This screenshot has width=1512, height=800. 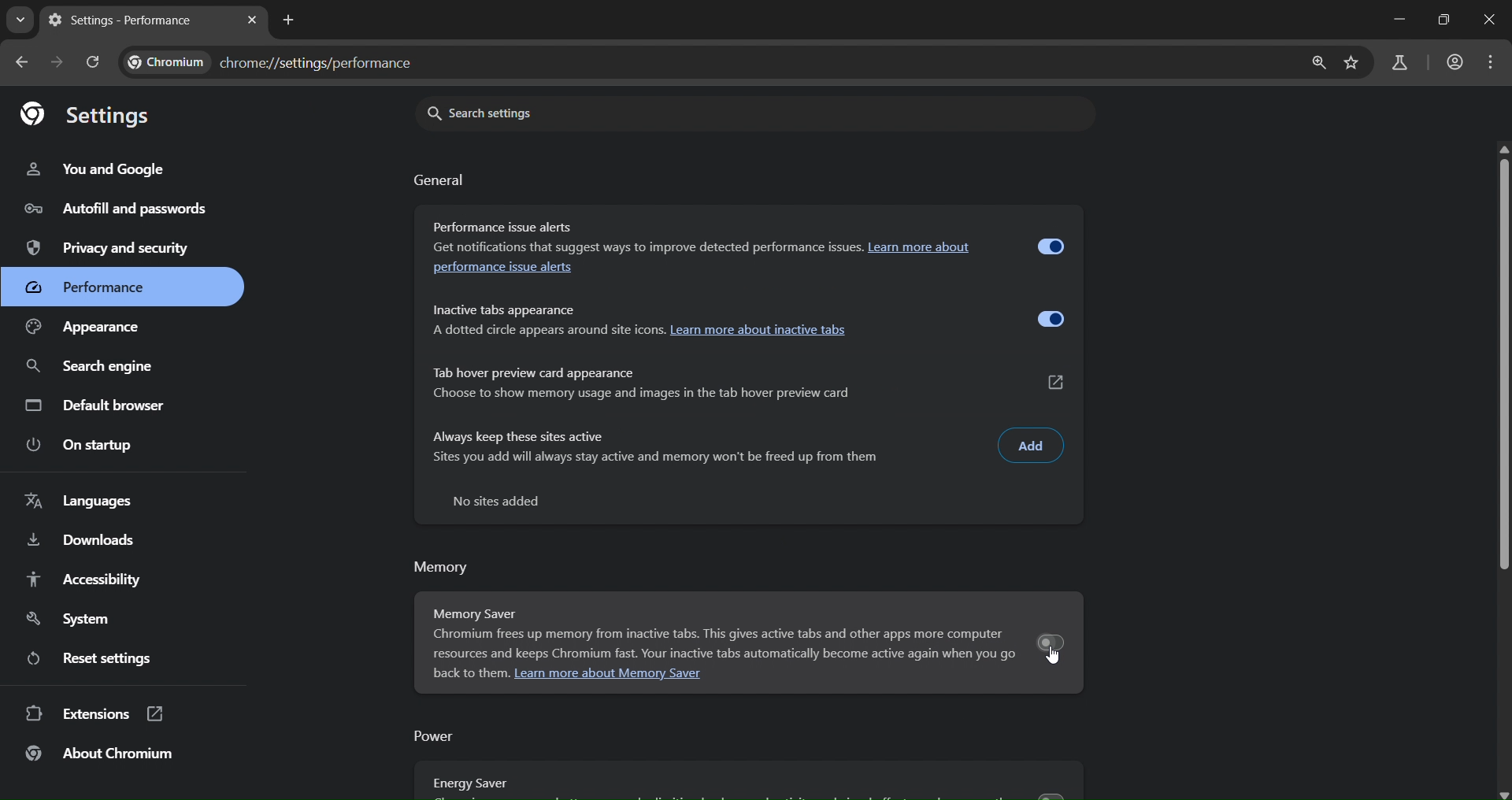 What do you see at coordinates (102, 406) in the screenshot?
I see `default engine` at bounding box center [102, 406].